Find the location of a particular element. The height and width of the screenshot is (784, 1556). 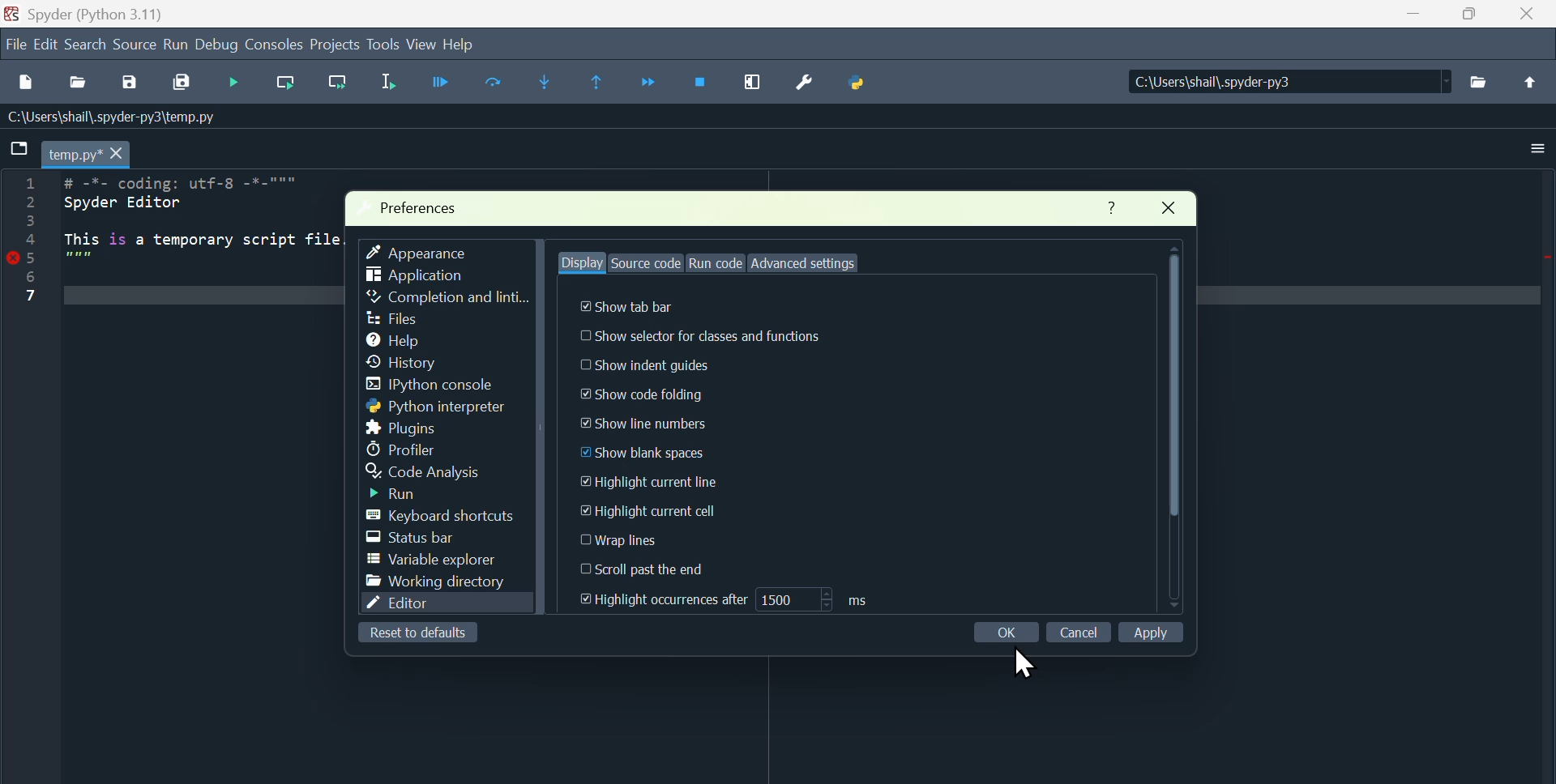

Display is located at coordinates (582, 262).